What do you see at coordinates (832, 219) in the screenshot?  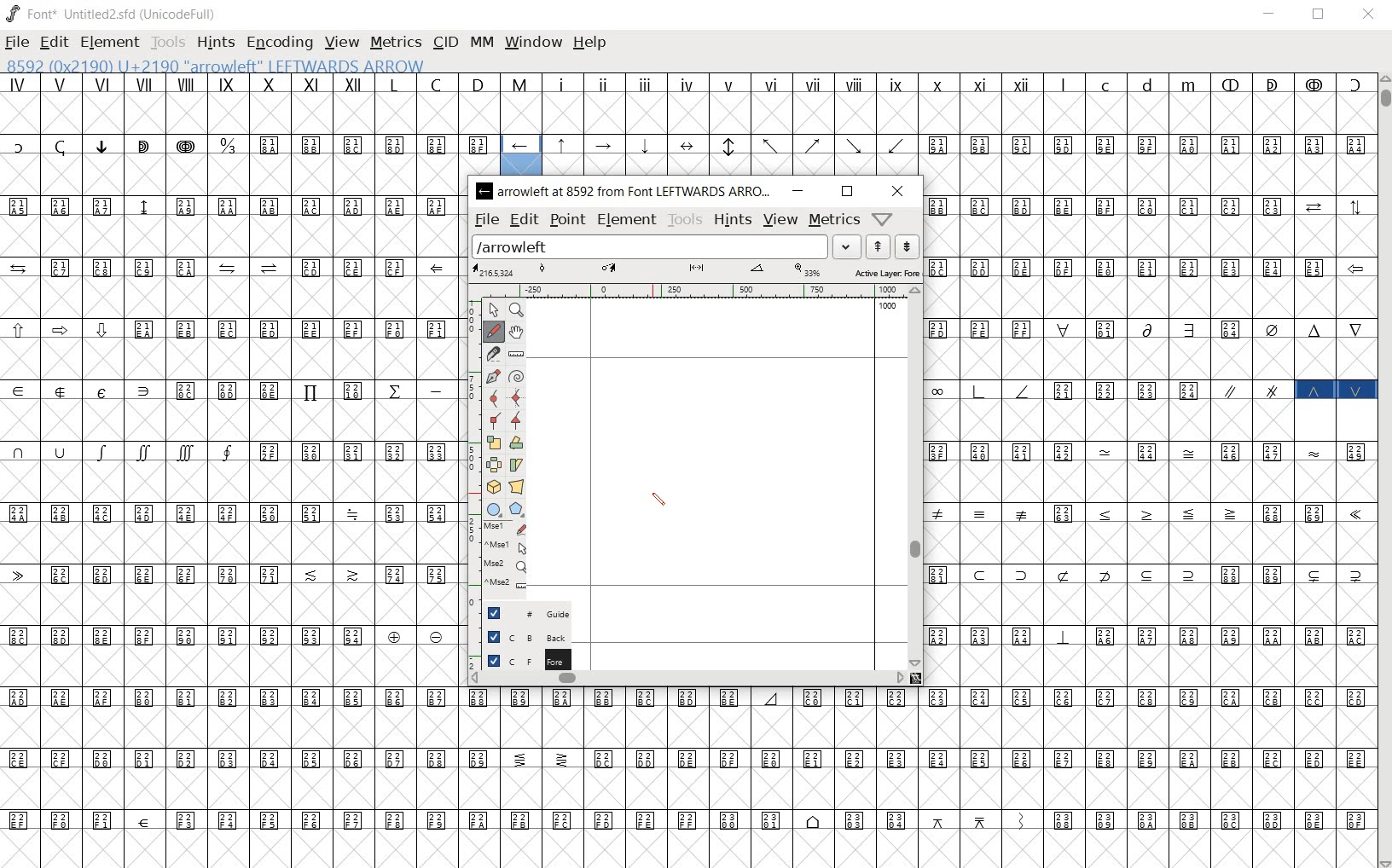 I see `metrics` at bounding box center [832, 219].